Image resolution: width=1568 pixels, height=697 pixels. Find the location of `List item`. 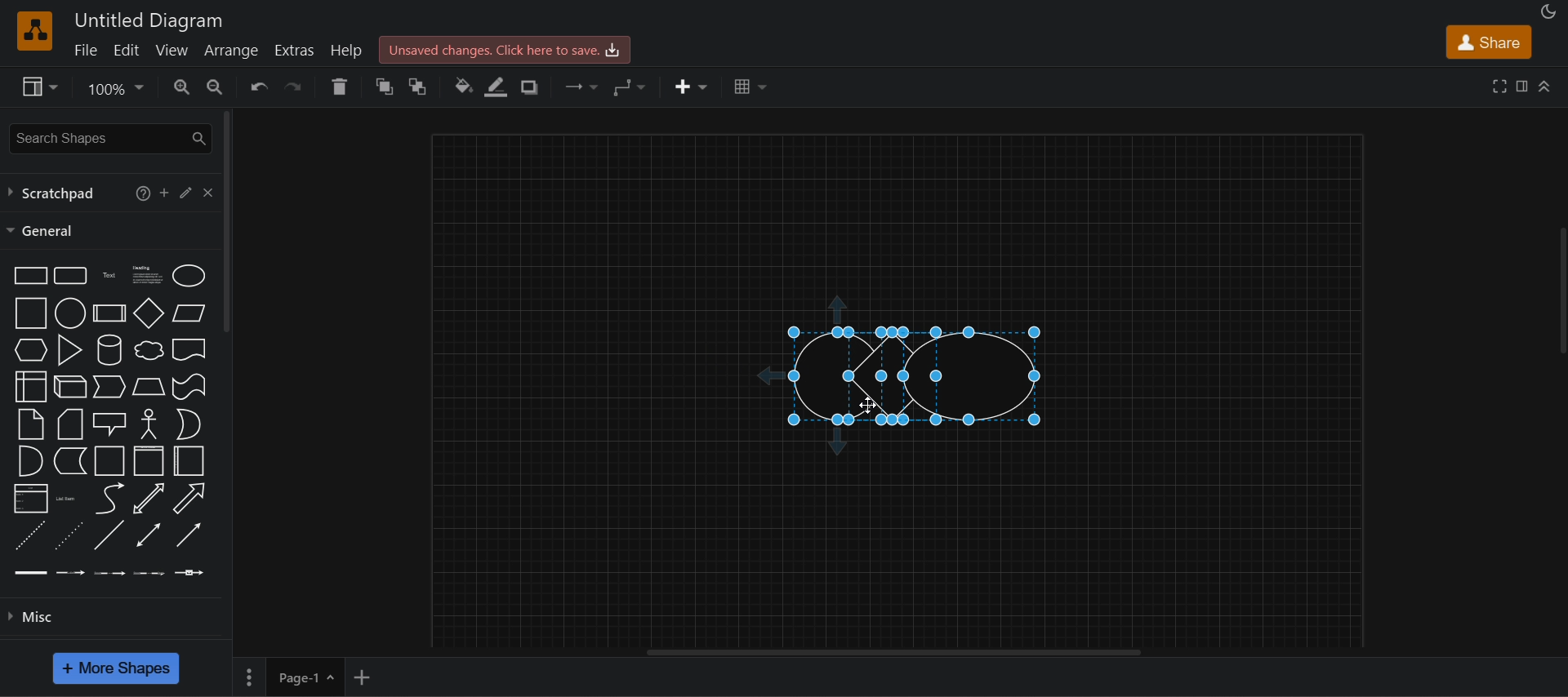

List item is located at coordinates (67, 498).